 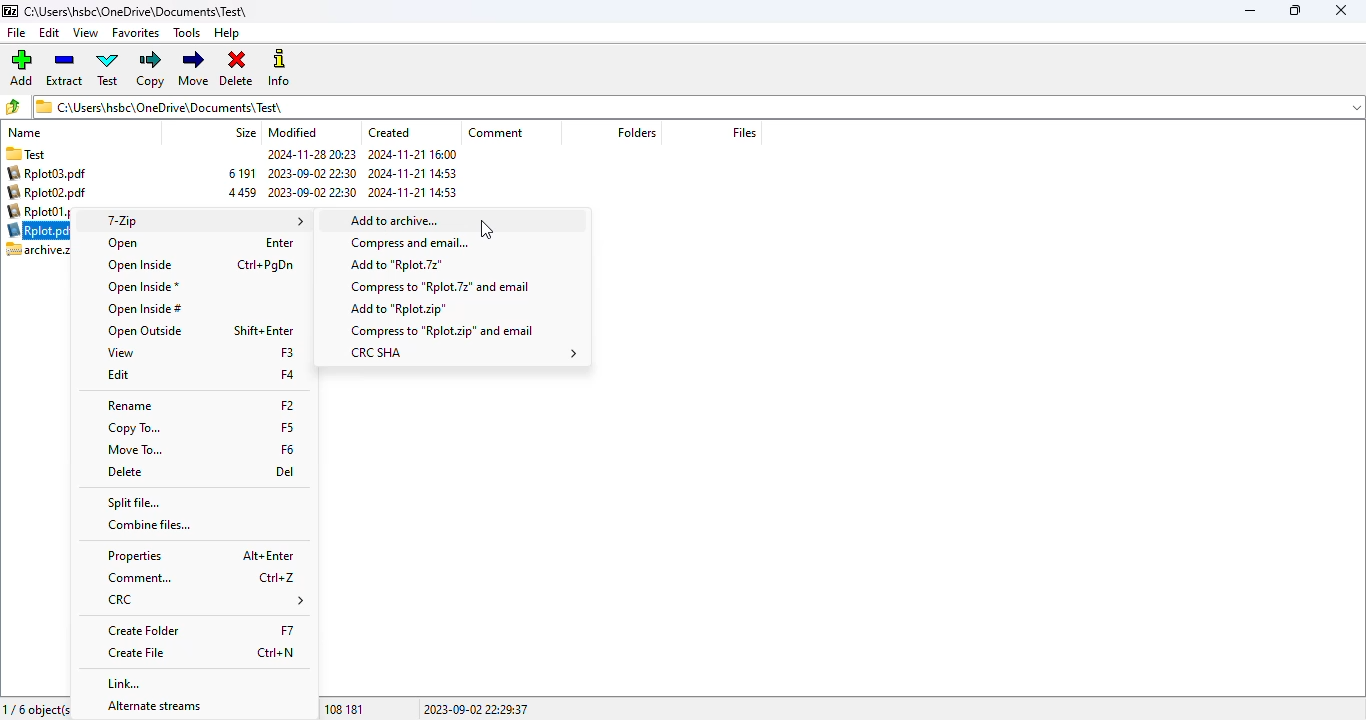 I want to click on modified, so click(x=293, y=132).